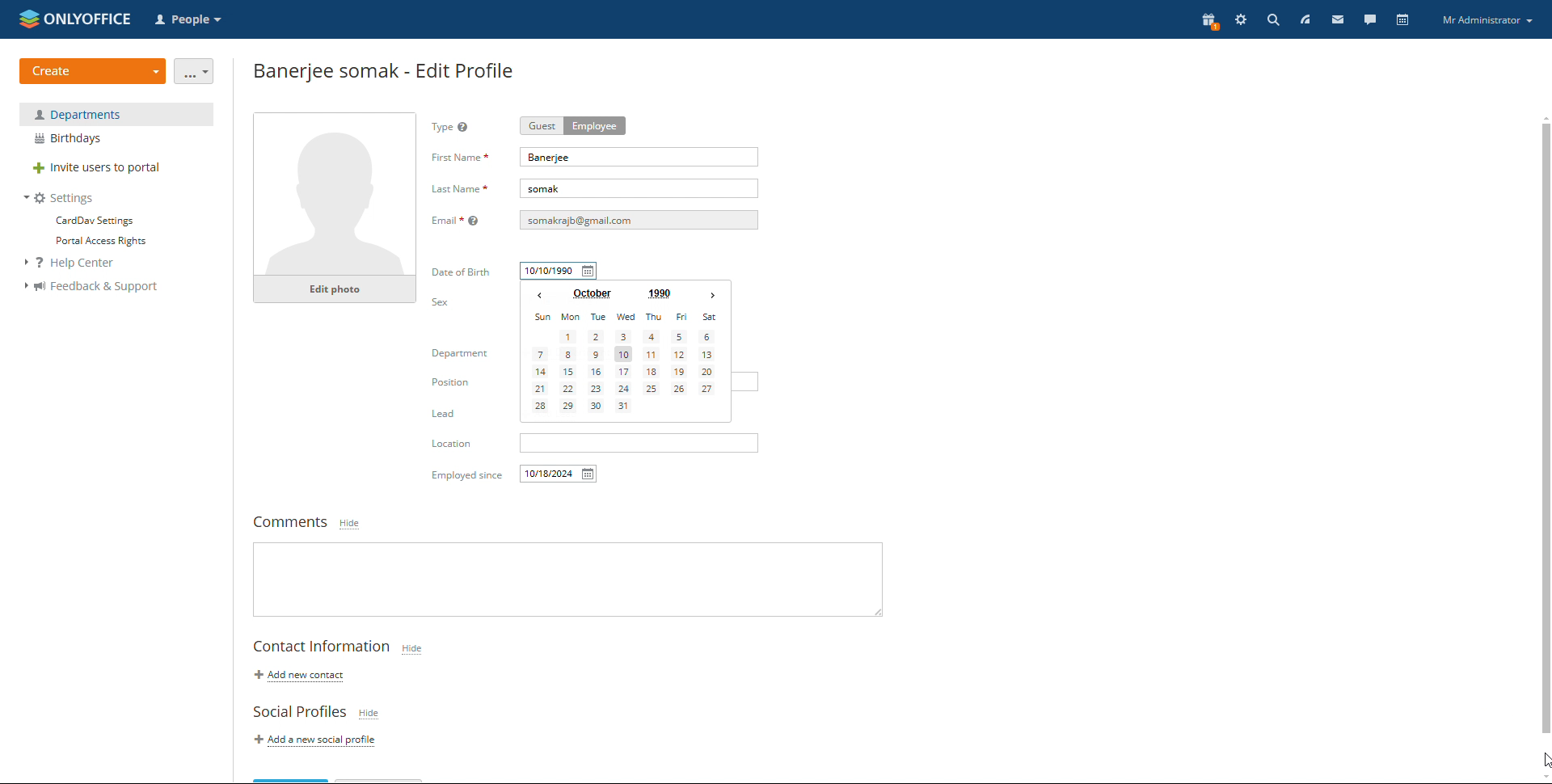 The width and height of the screenshot is (1552, 784). I want to click on date of birth, so click(463, 272).